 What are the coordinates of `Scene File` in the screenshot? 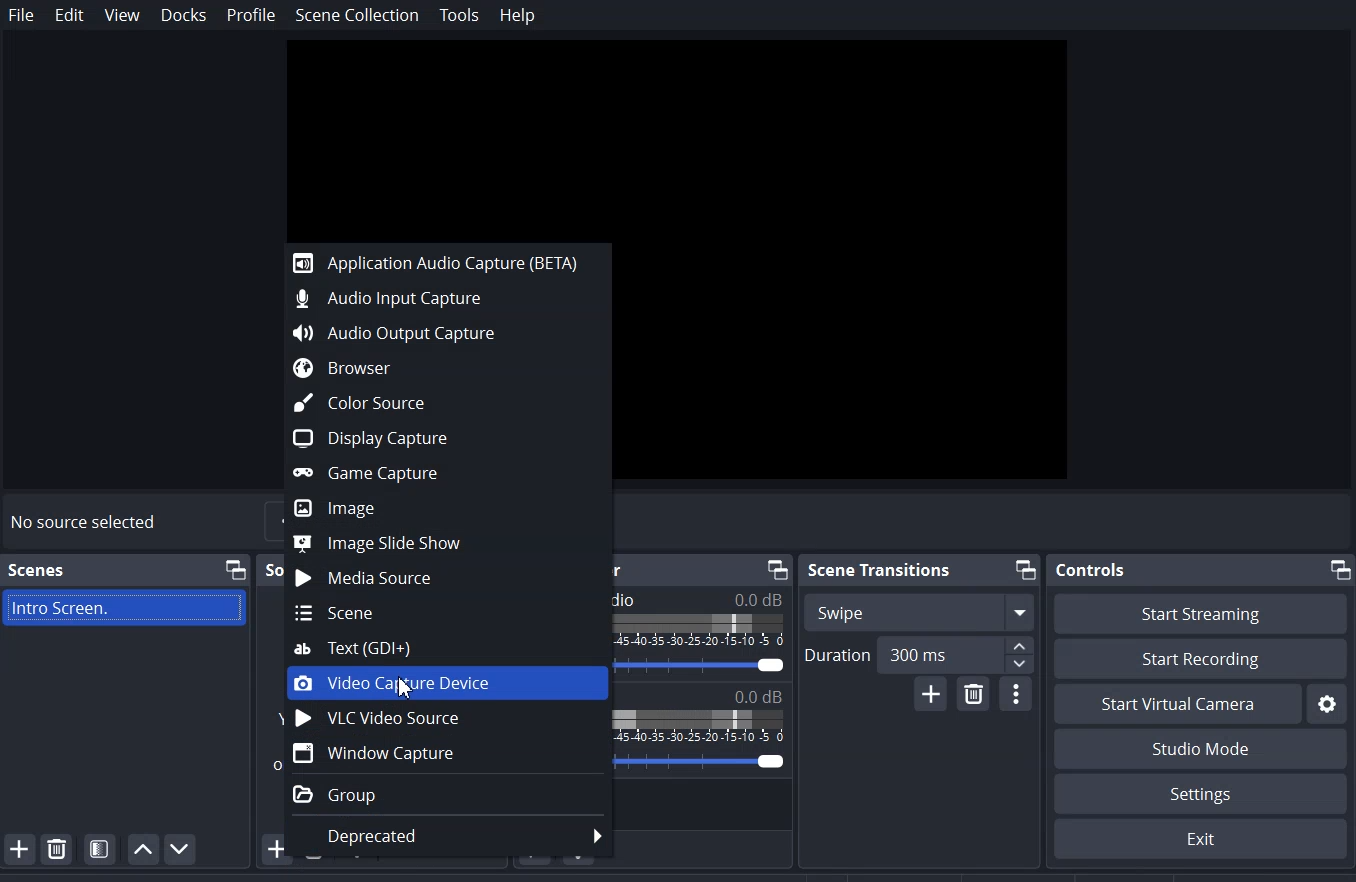 It's located at (126, 609).